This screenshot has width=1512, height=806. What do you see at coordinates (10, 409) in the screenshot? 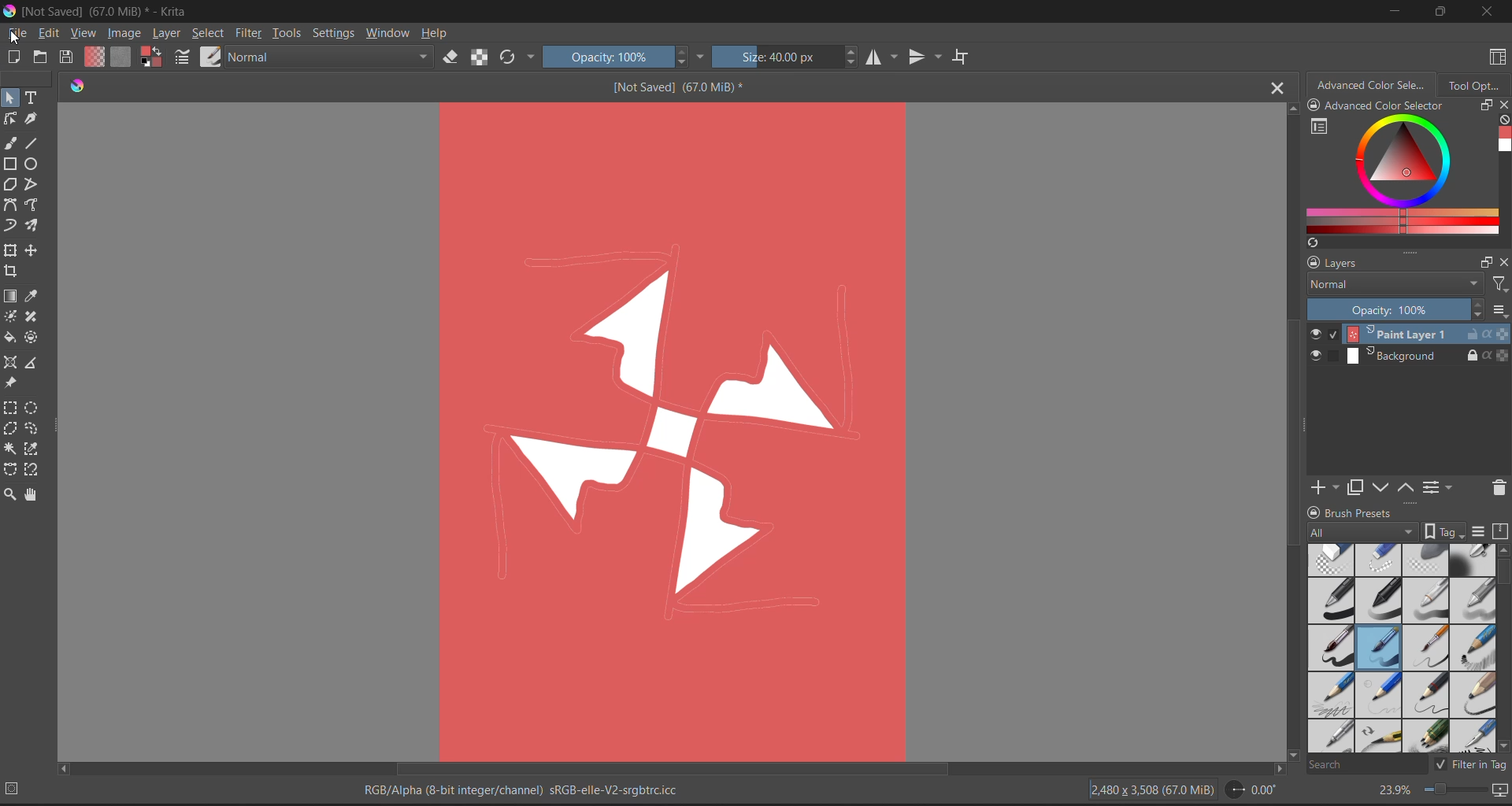
I see `tools` at bounding box center [10, 409].